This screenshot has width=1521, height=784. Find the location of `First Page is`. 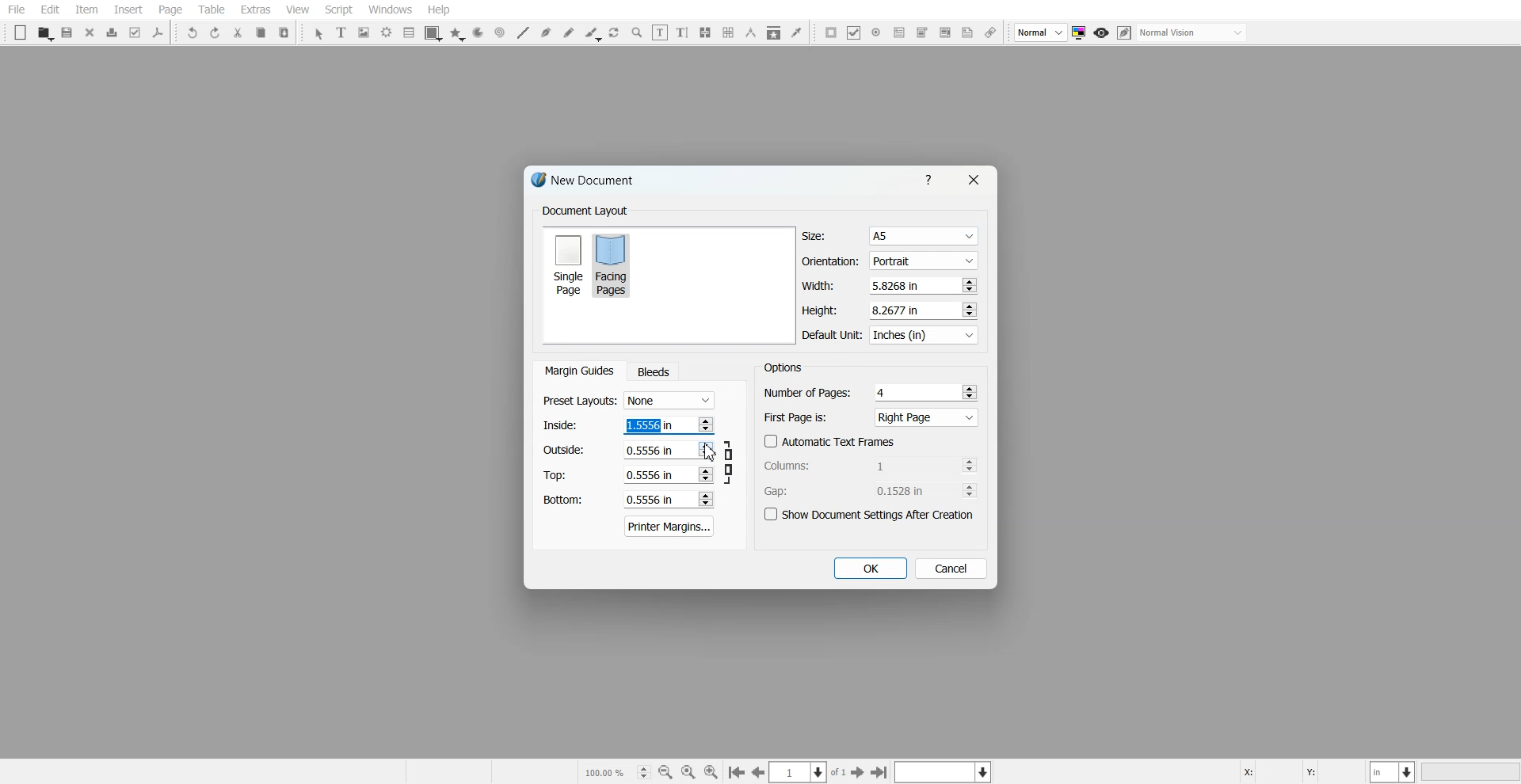

First Page is is located at coordinates (871, 417).